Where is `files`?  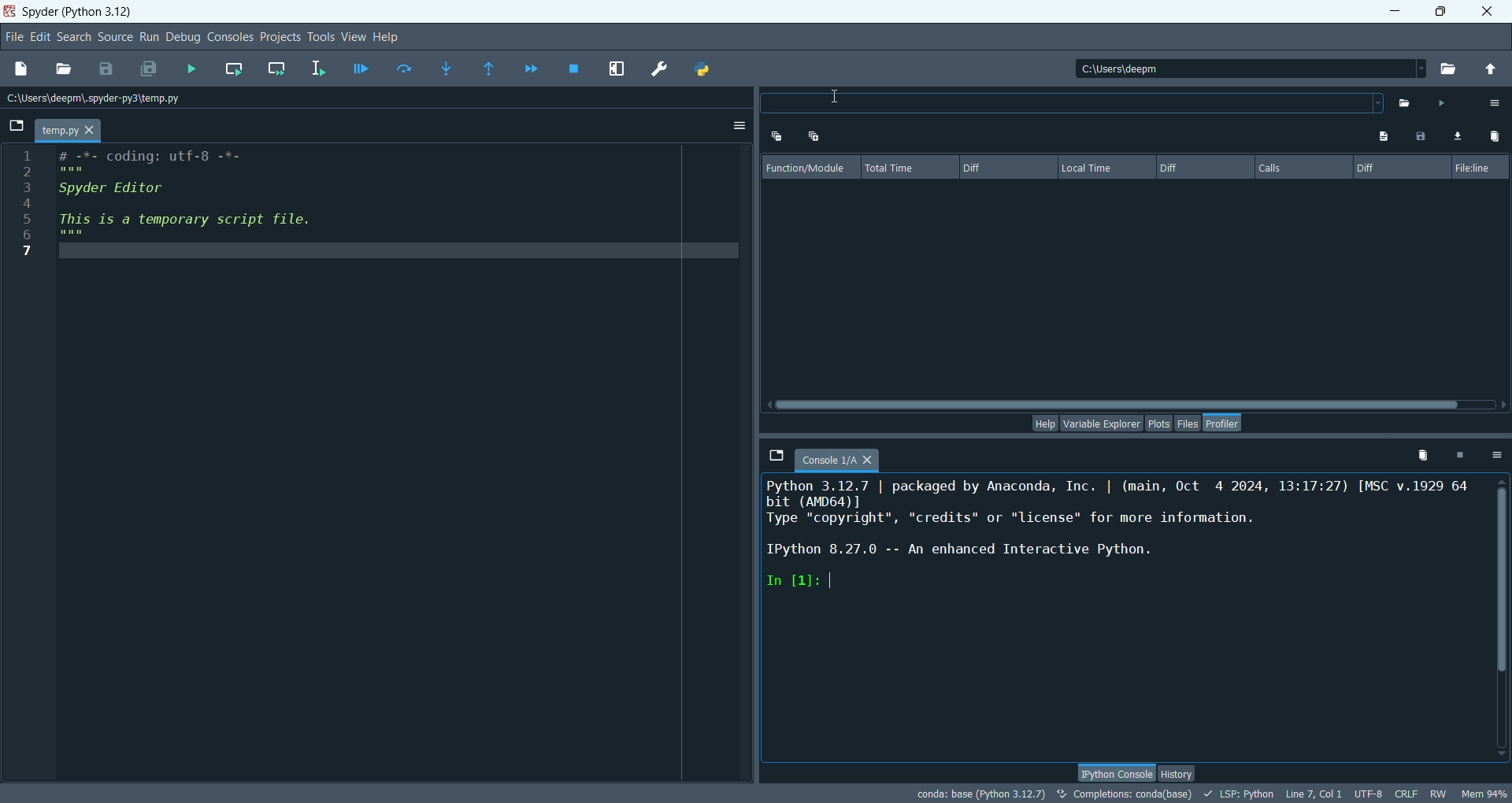
files is located at coordinates (1188, 424).